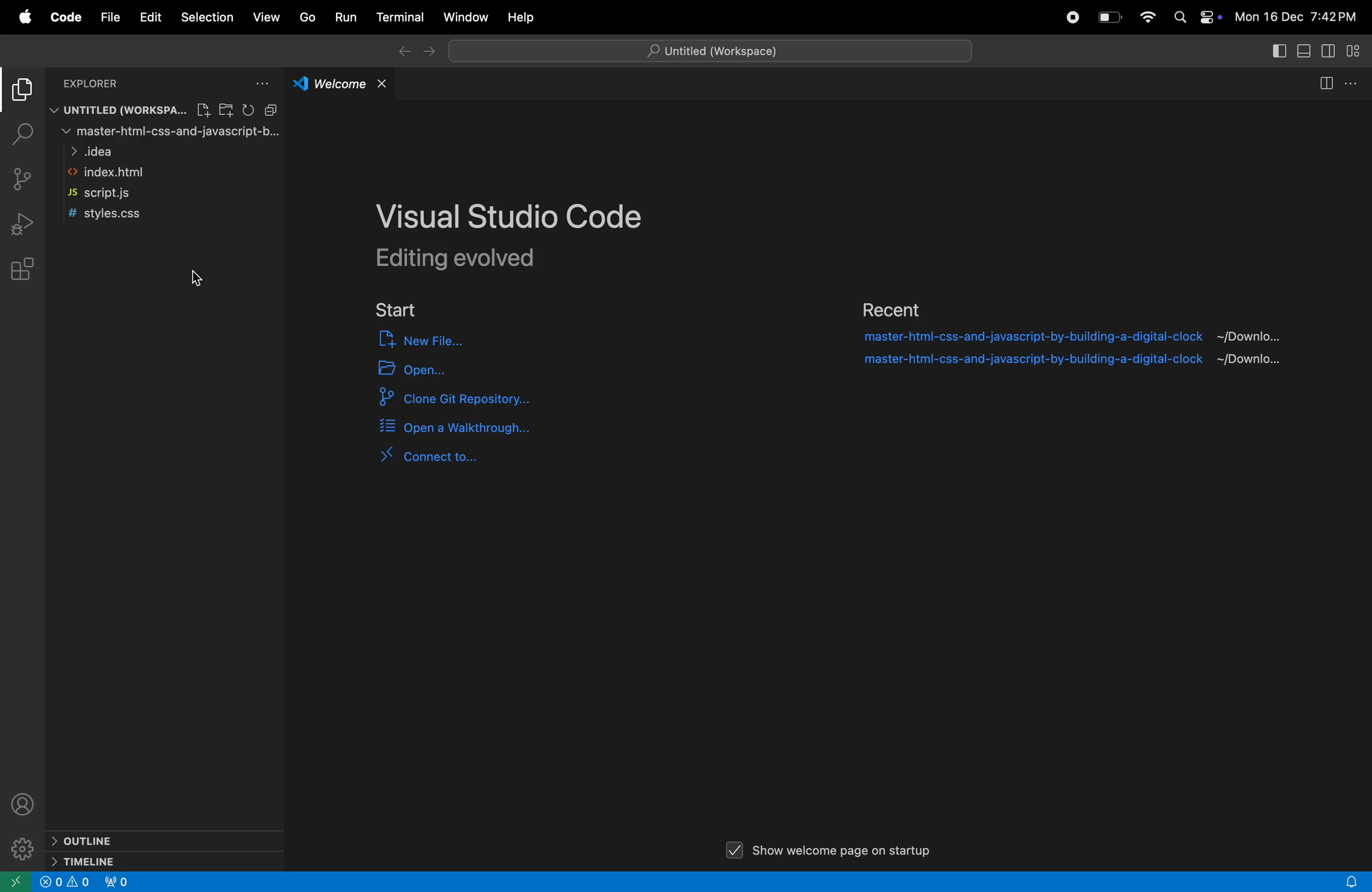 The width and height of the screenshot is (1372, 892). What do you see at coordinates (21, 267) in the screenshot?
I see `extensions` at bounding box center [21, 267].